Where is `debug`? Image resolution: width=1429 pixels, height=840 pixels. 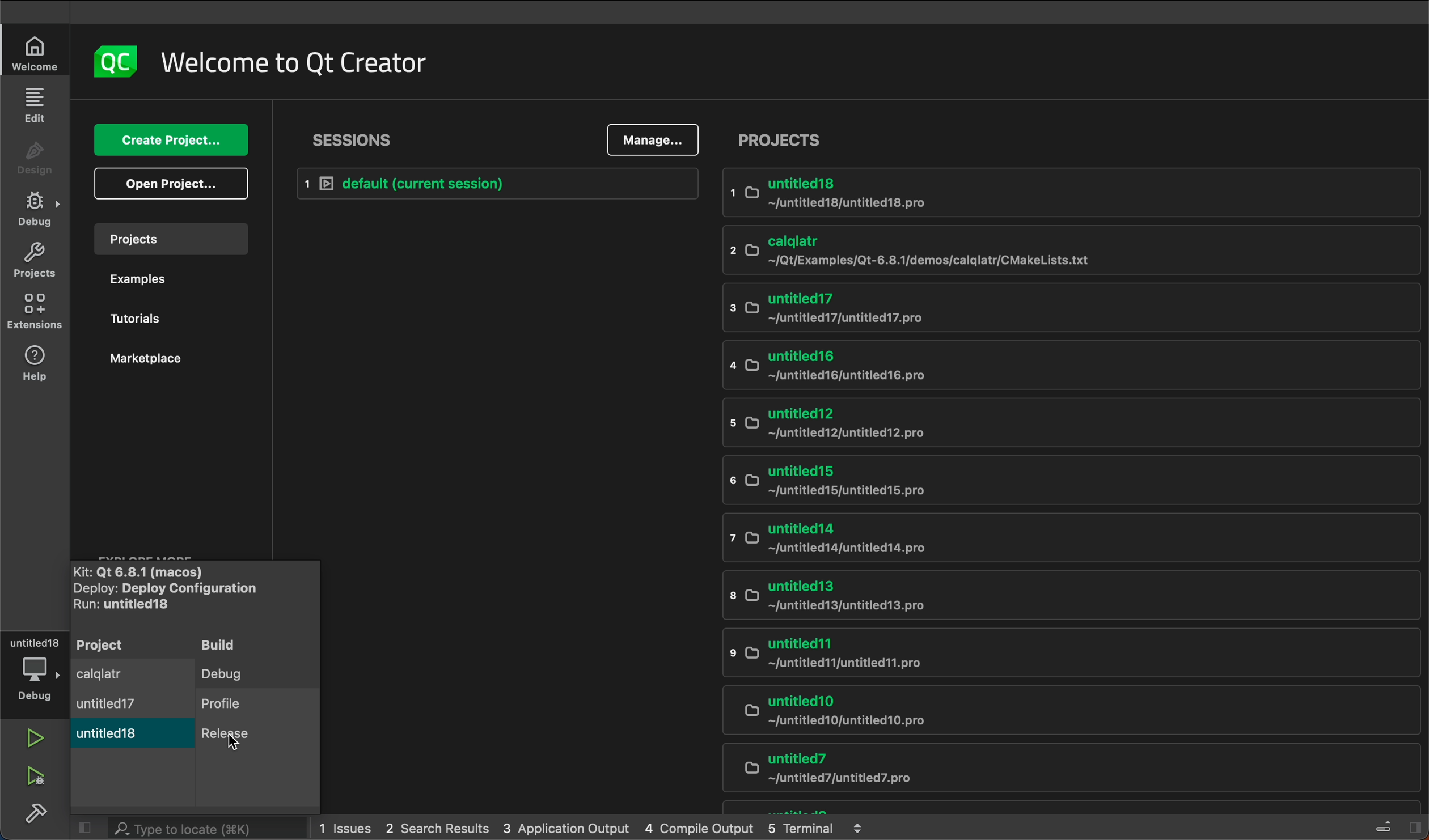
debug is located at coordinates (38, 211).